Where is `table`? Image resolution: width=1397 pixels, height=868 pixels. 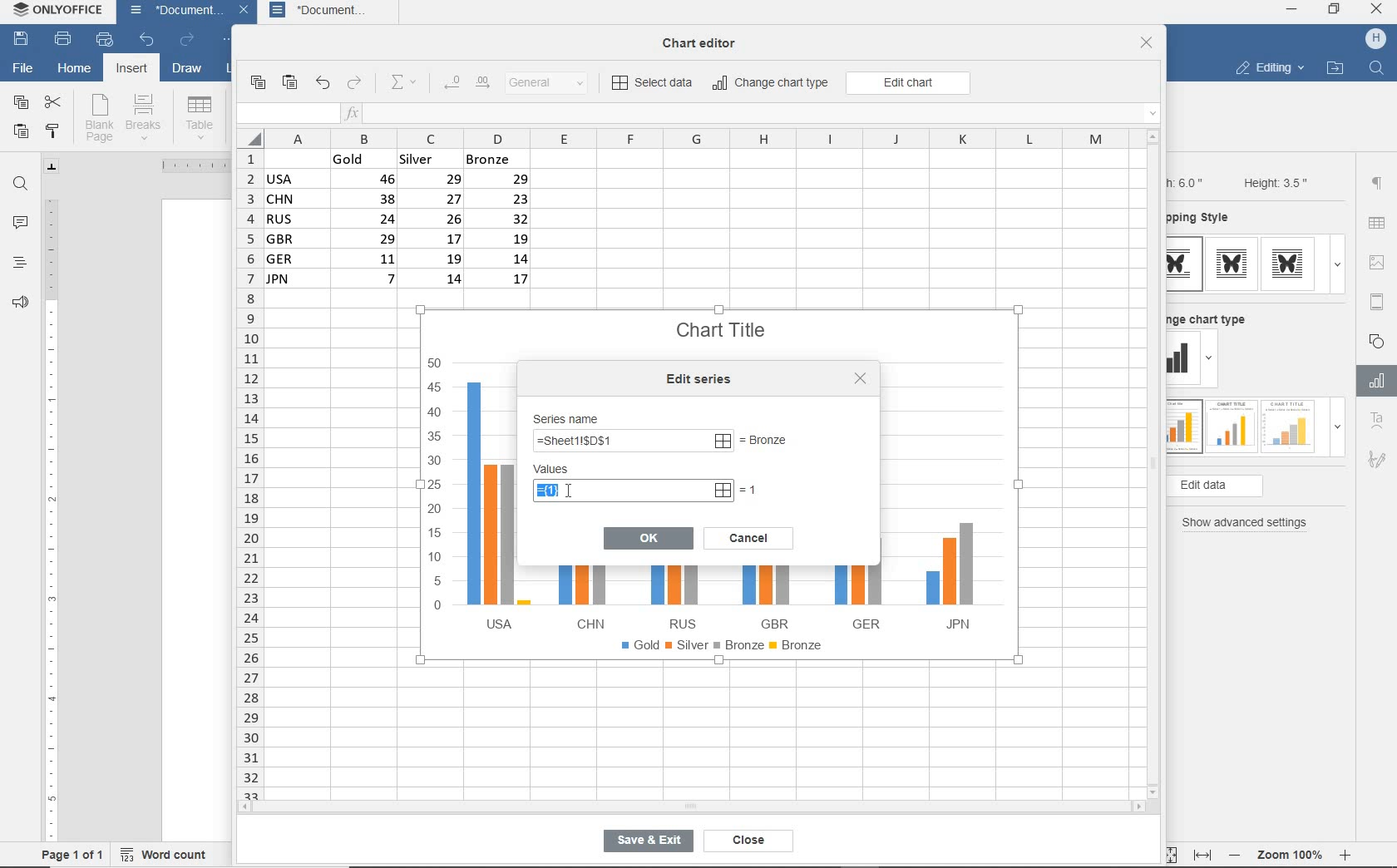
table is located at coordinates (200, 117).